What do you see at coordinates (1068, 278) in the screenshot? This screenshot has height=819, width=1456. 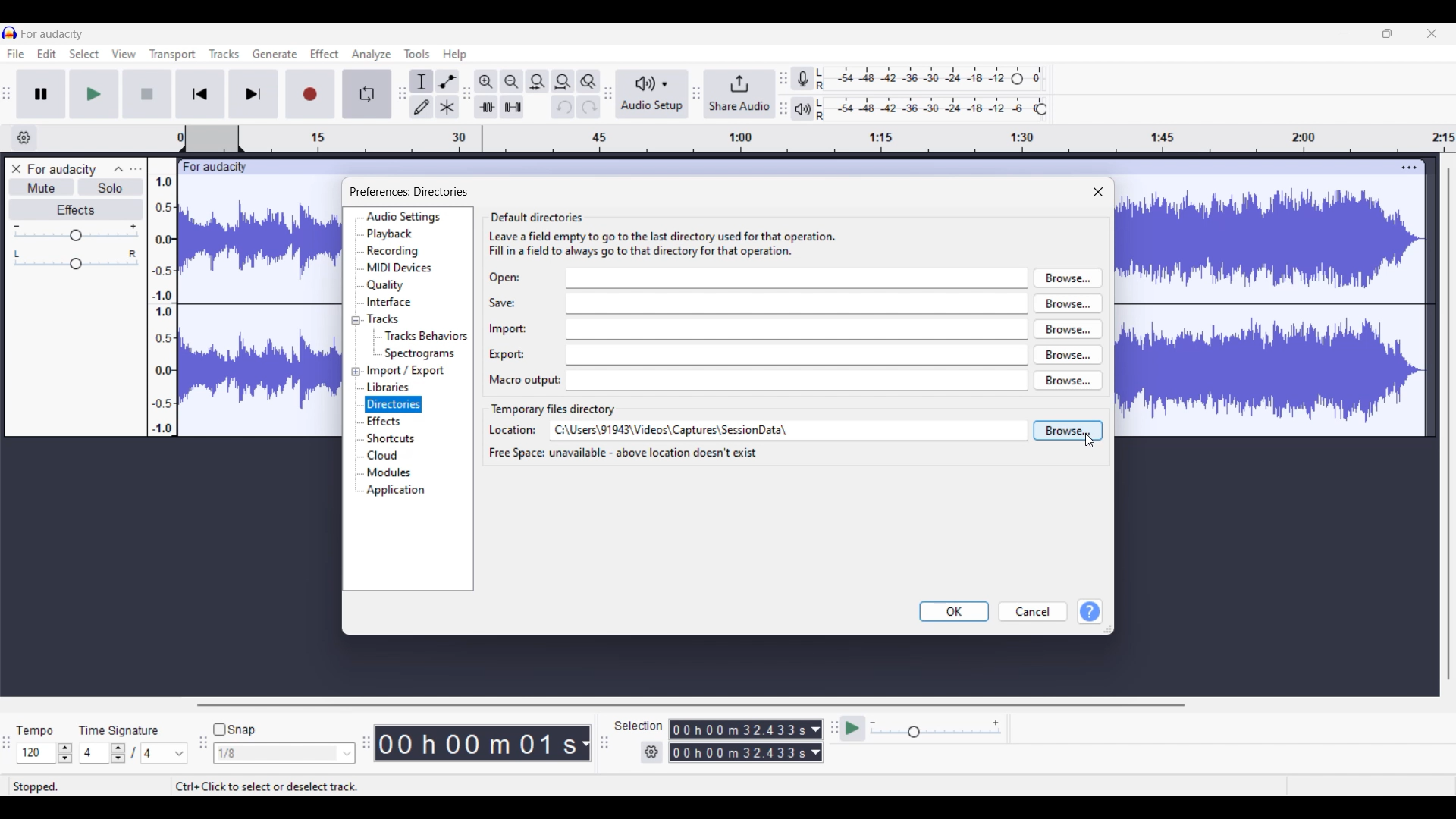 I see `browse` at bounding box center [1068, 278].